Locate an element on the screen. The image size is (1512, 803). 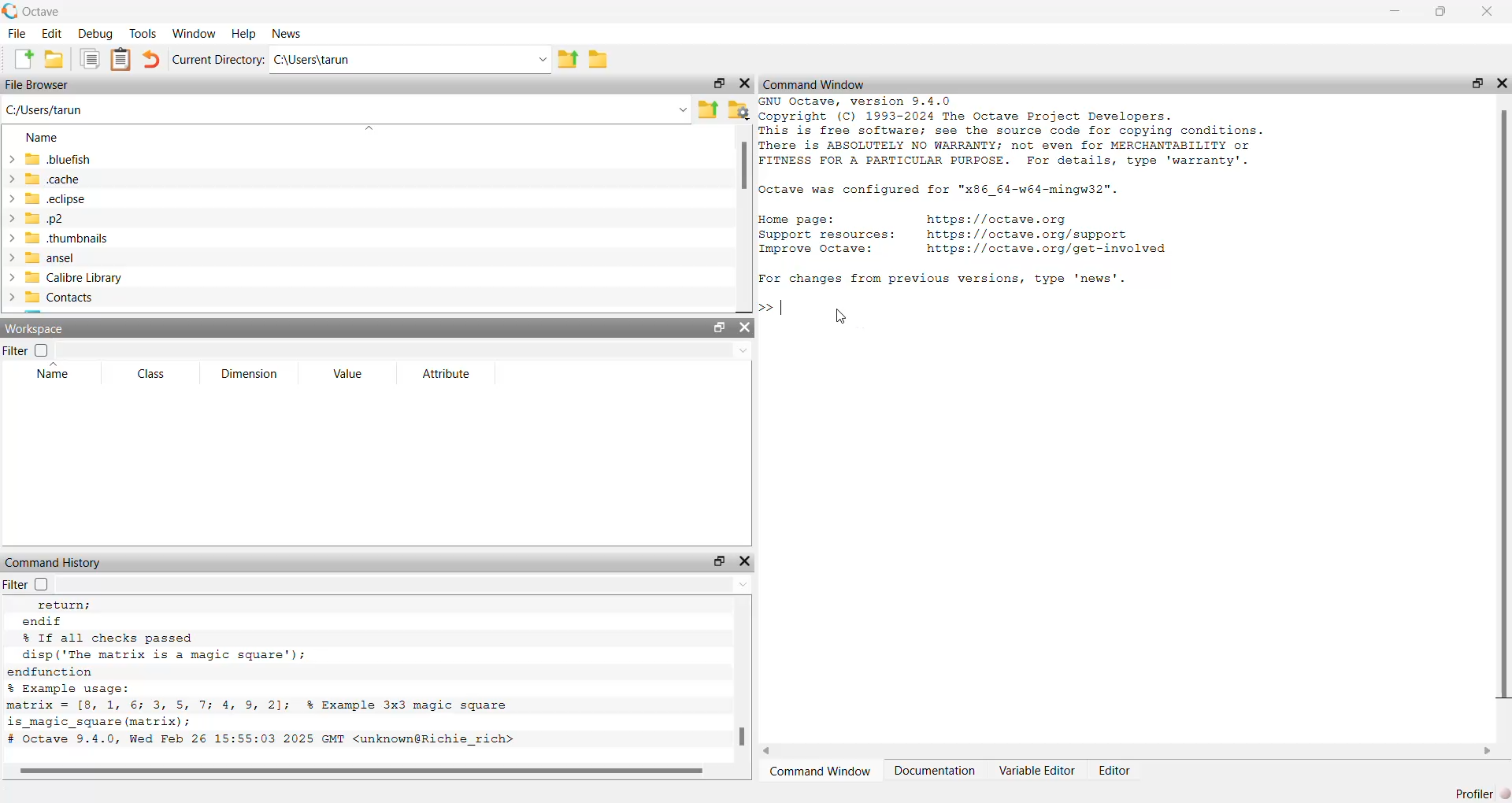
News is located at coordinates (288, 33).